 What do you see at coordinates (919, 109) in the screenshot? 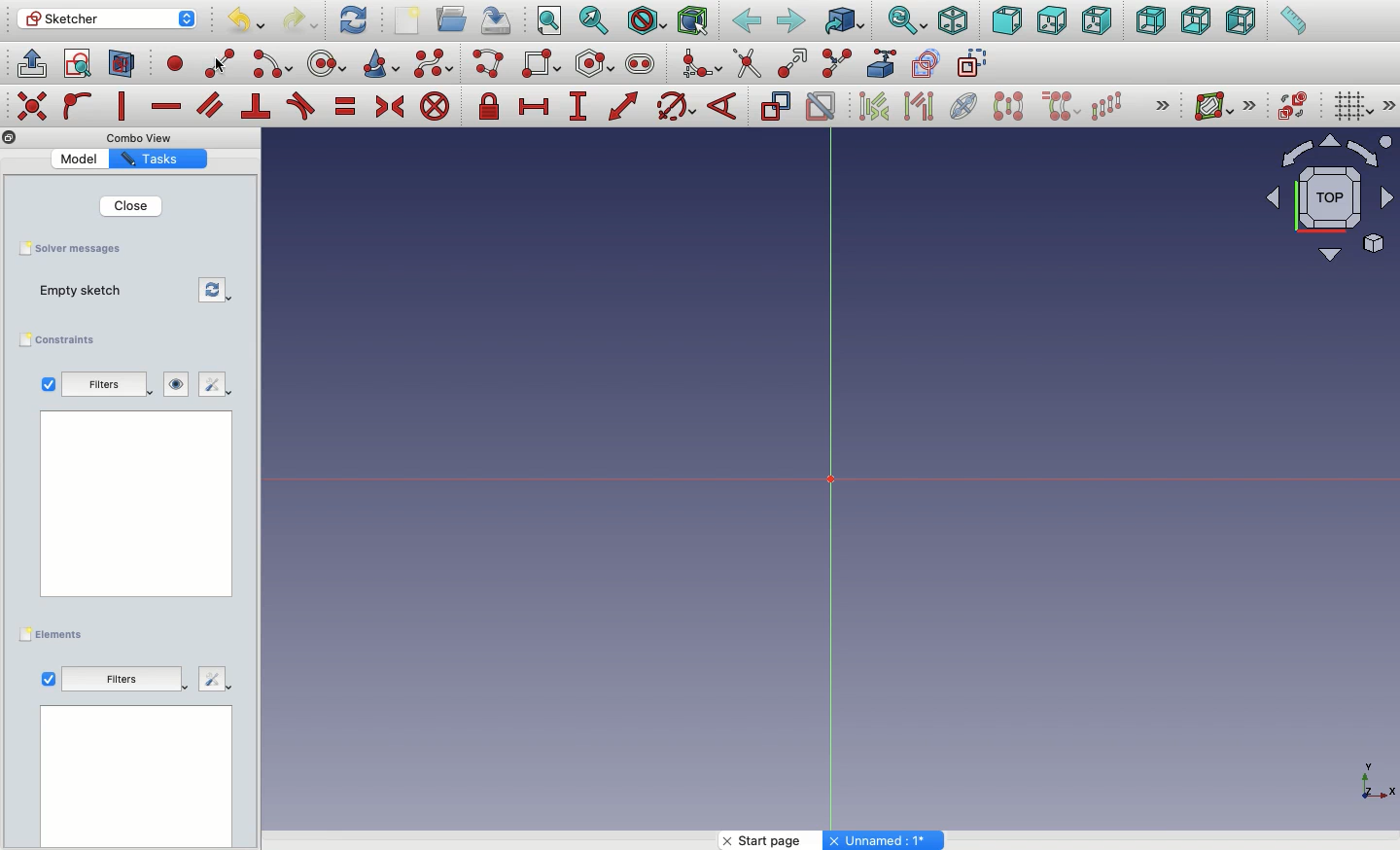
I see `Associated geometry` at bounding box center [919, 109].